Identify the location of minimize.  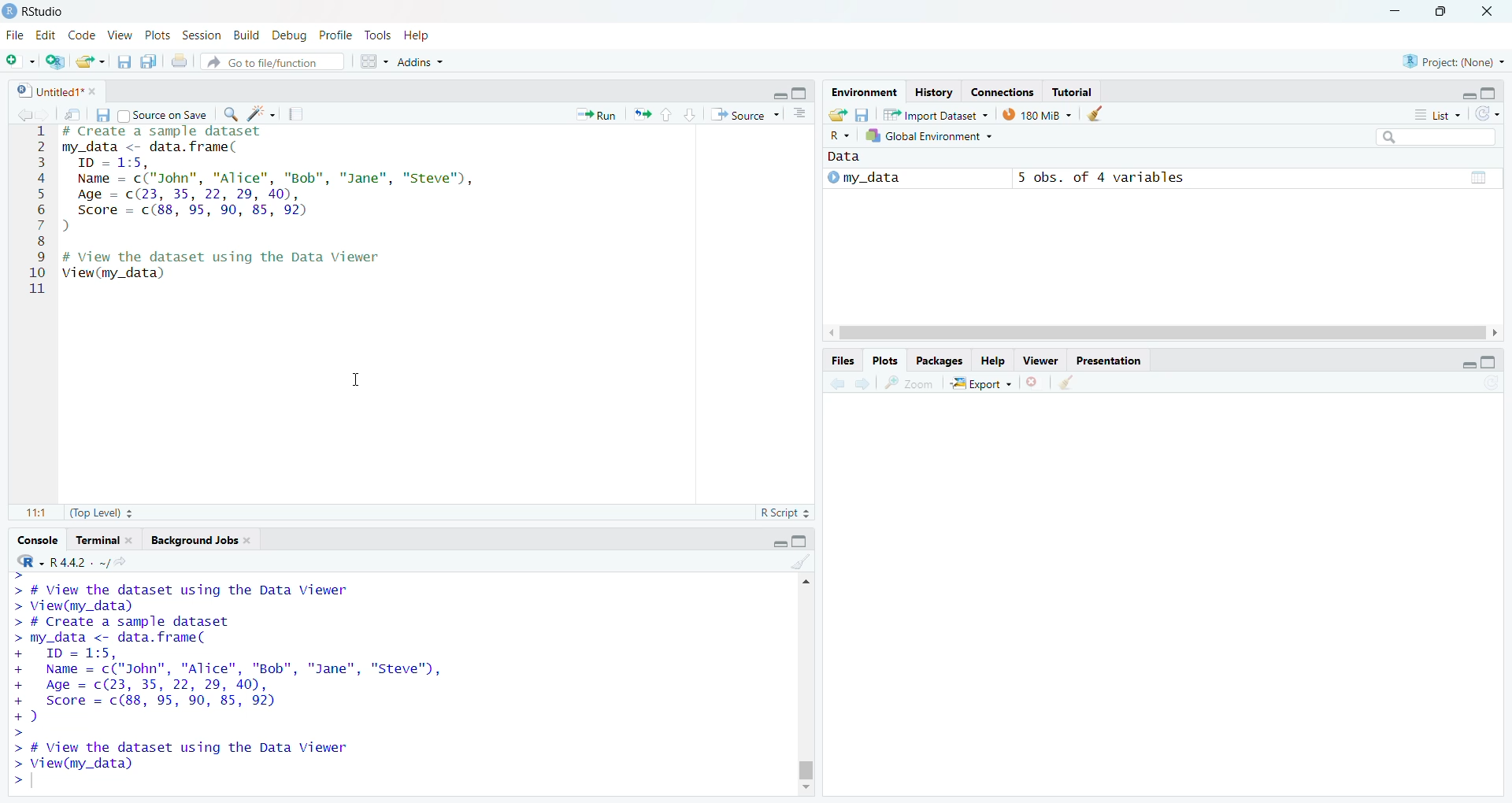
(1466, 97).